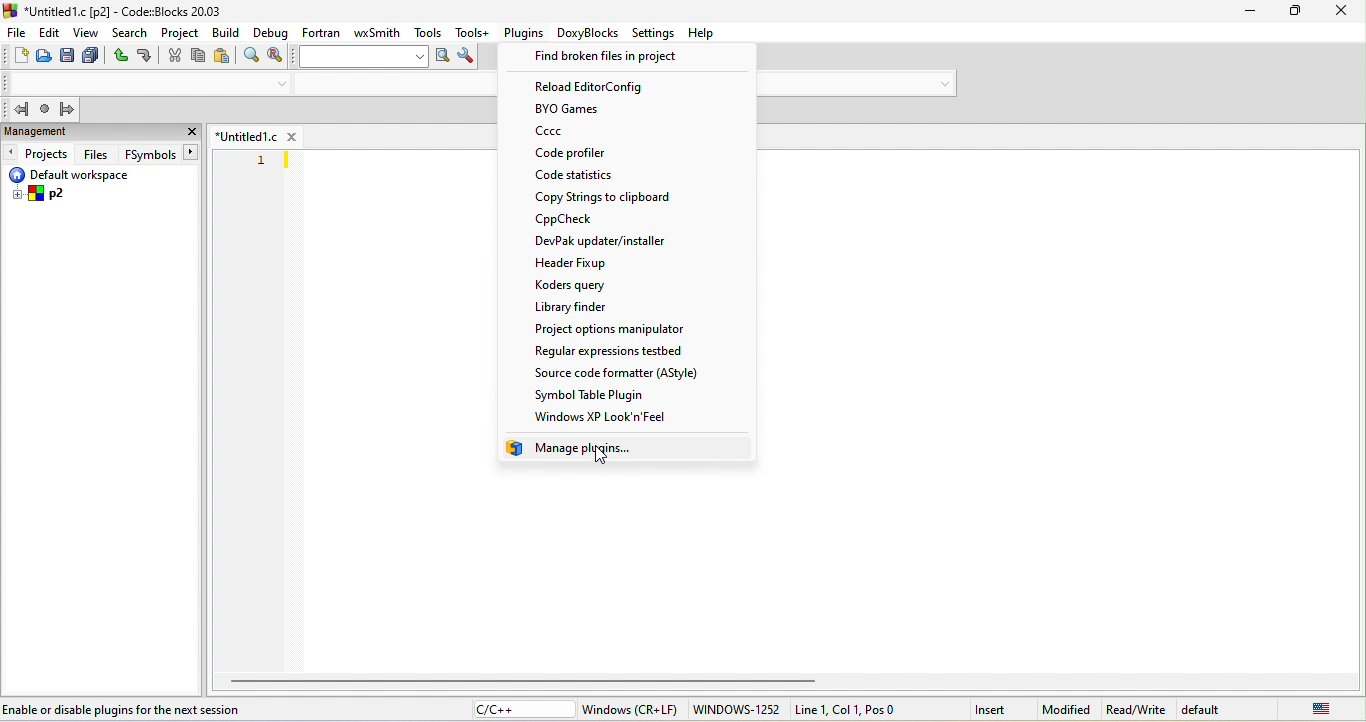 This screenshot has width=1366, height=722. I want to click on search, so click(131, 30).